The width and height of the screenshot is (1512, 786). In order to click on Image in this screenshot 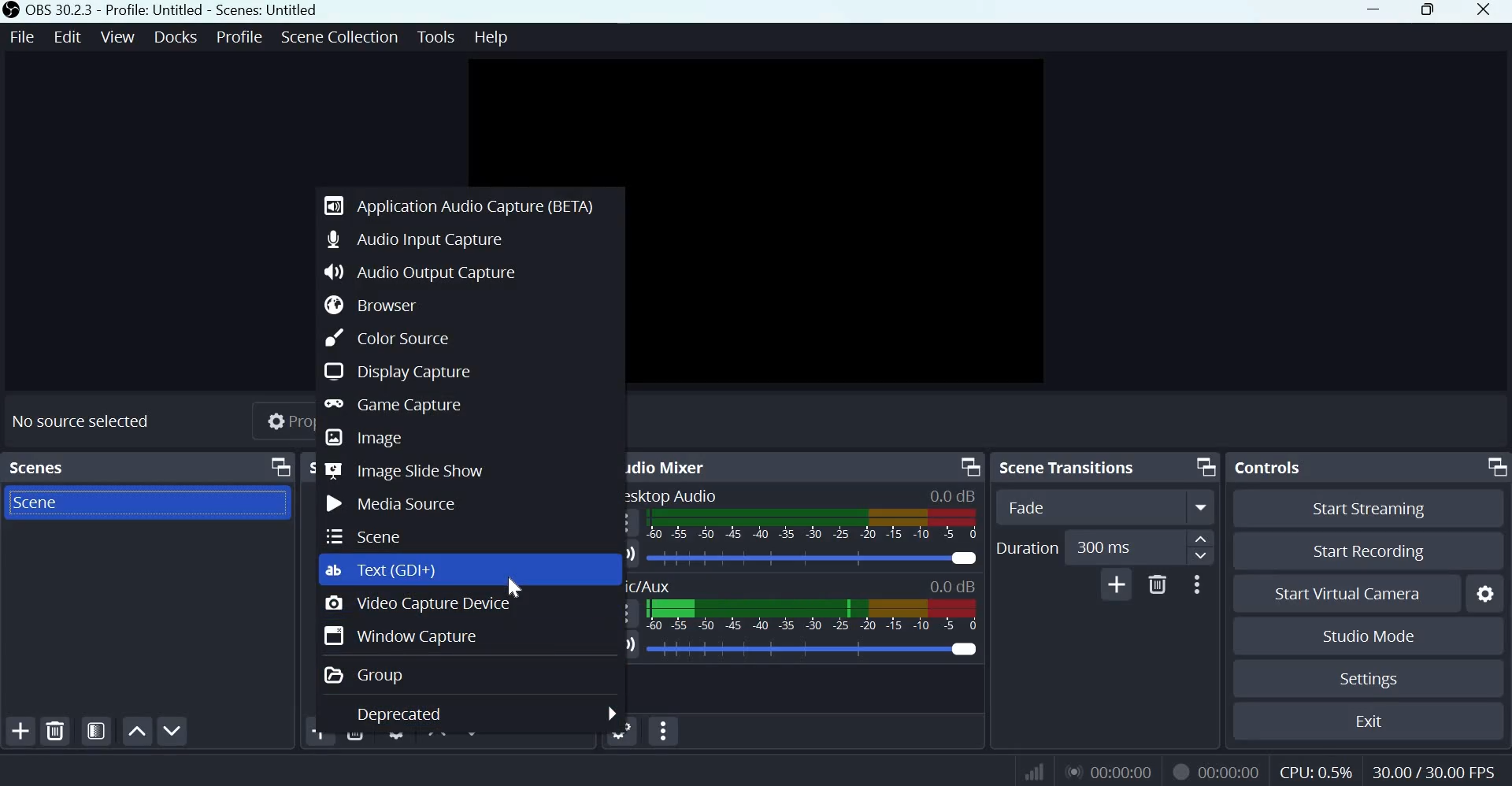, I will do `click(365, 438)`.